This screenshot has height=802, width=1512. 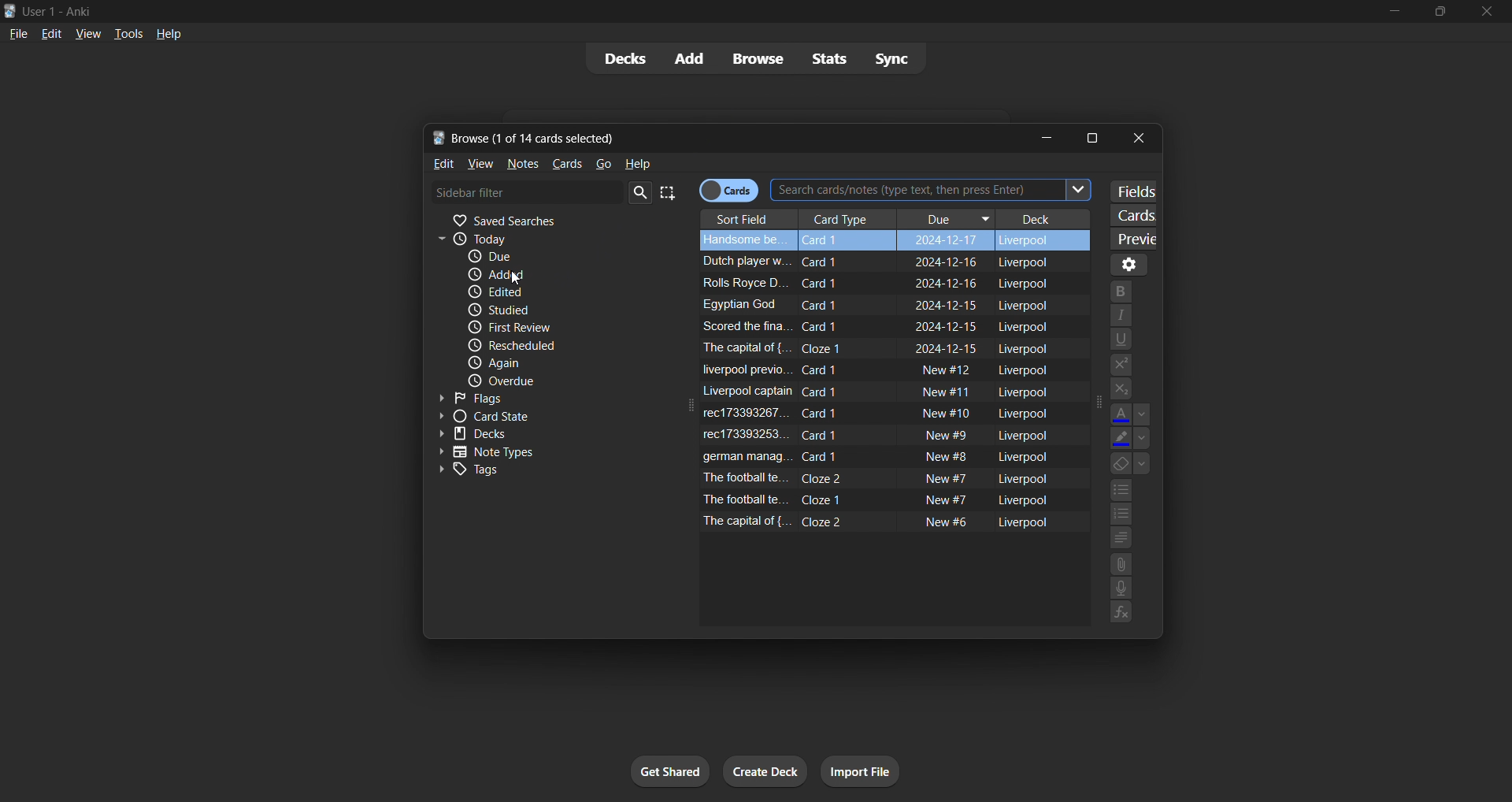 What do you see at coordinates (1134, 189) in the screenshot?
I see `customize fields` at bounding box center [1134, 189].